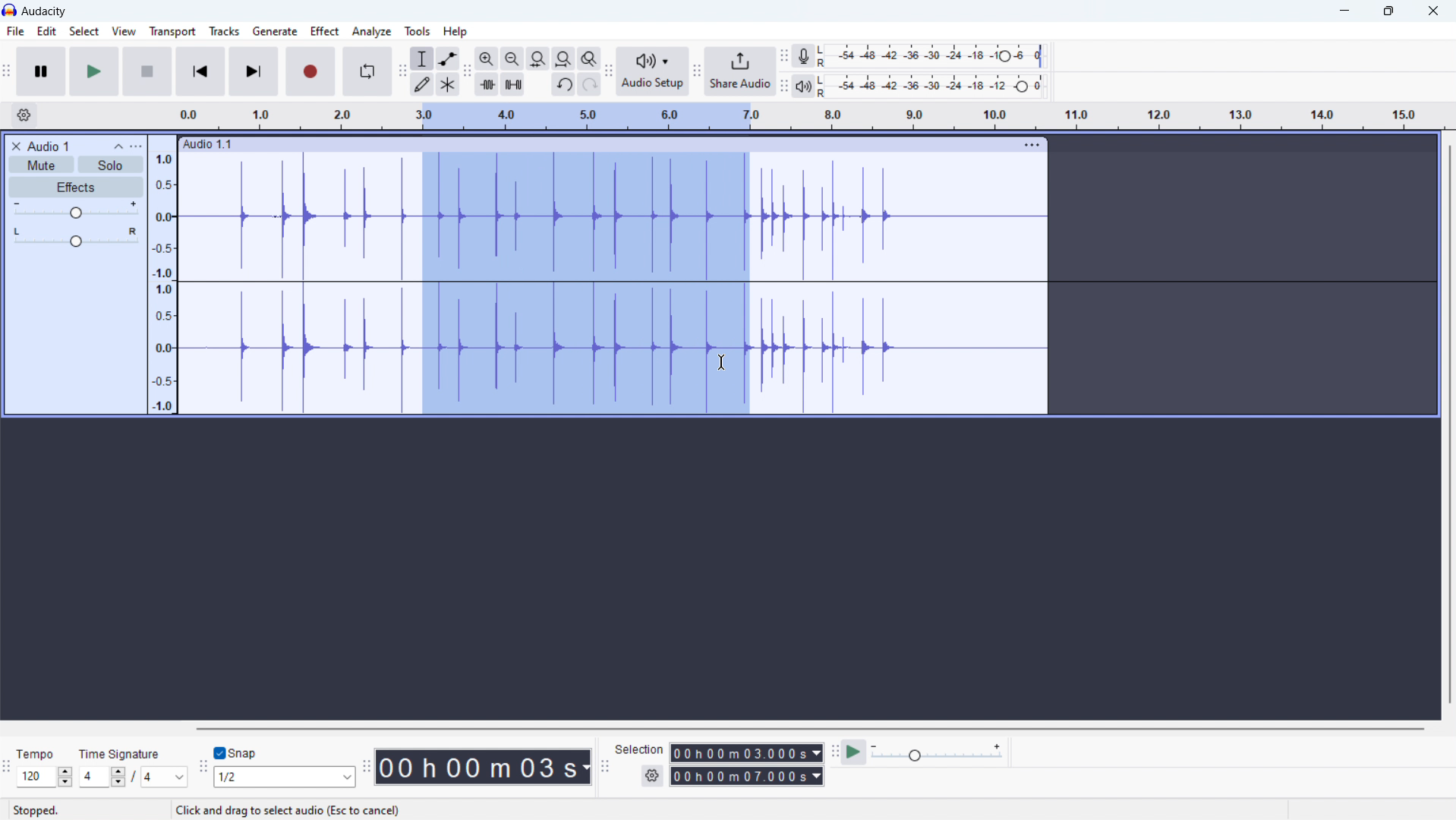 Image resolution: width=1456 pixels, height=820 pixels. I want to click on enable looping, so click(367, 72).